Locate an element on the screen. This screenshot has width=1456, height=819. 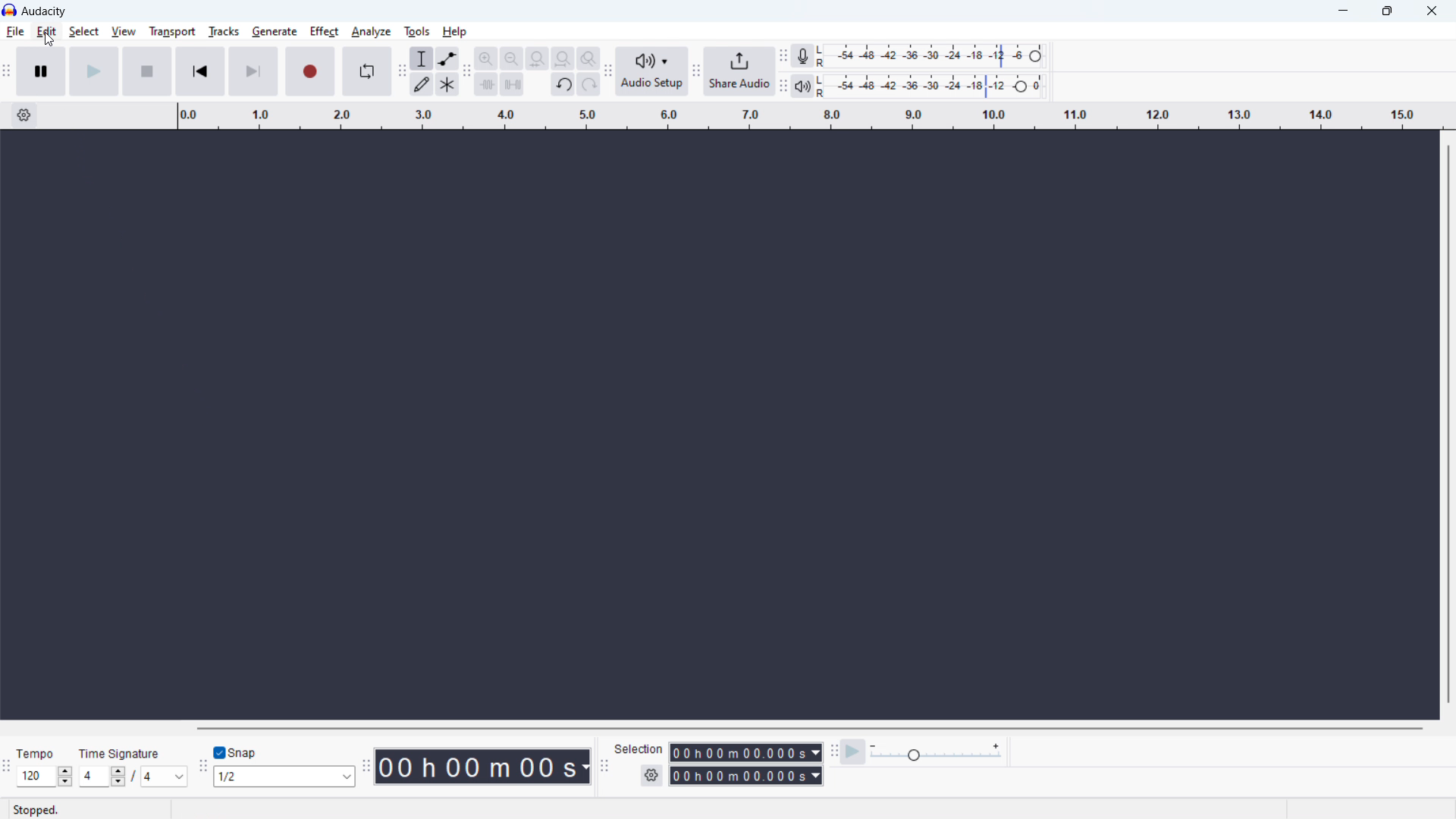
playback meter is located at coordinates (804, 85).